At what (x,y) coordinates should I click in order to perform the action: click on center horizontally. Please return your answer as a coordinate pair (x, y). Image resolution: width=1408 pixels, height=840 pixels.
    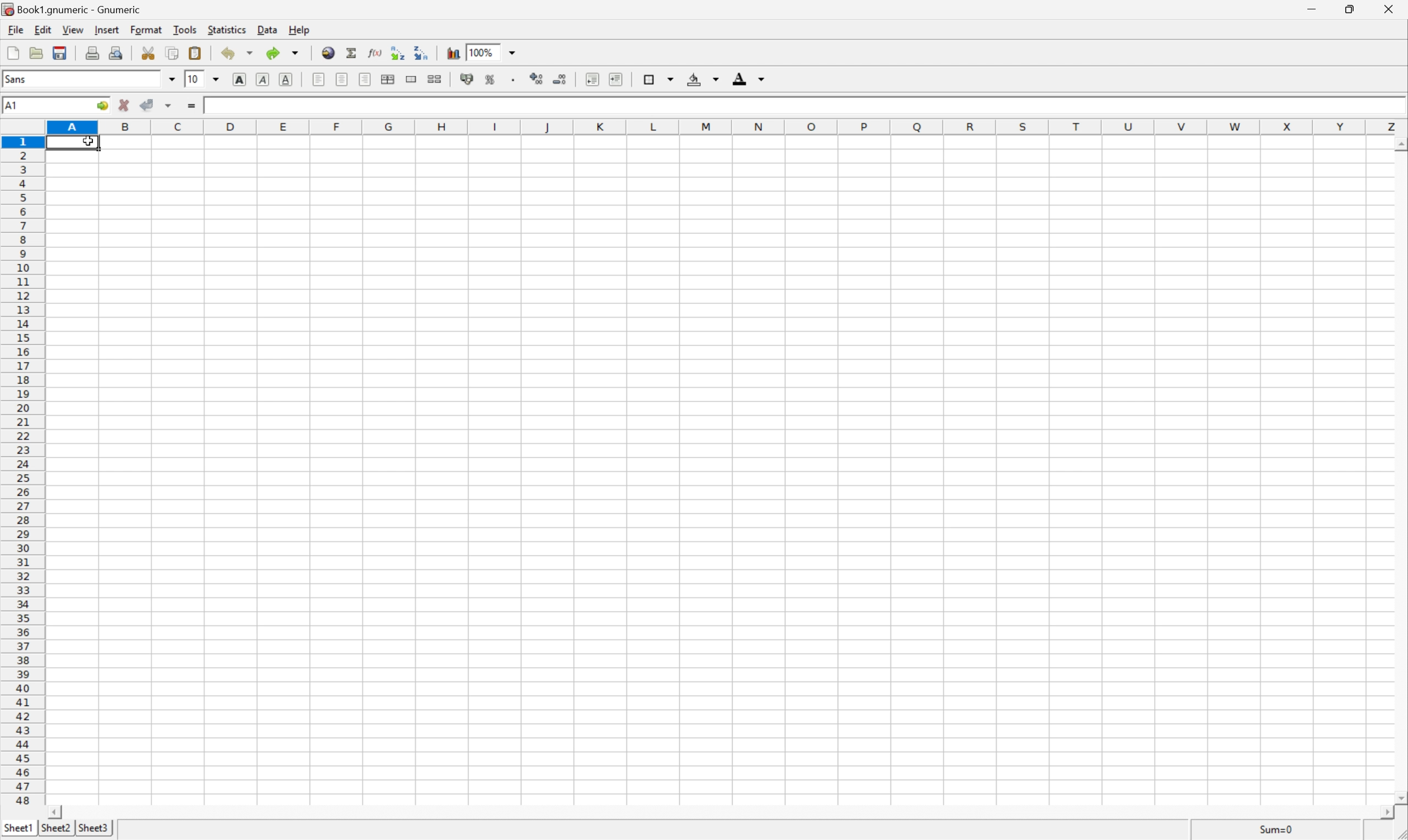
    Looking at the image, I should click on (390, 79).